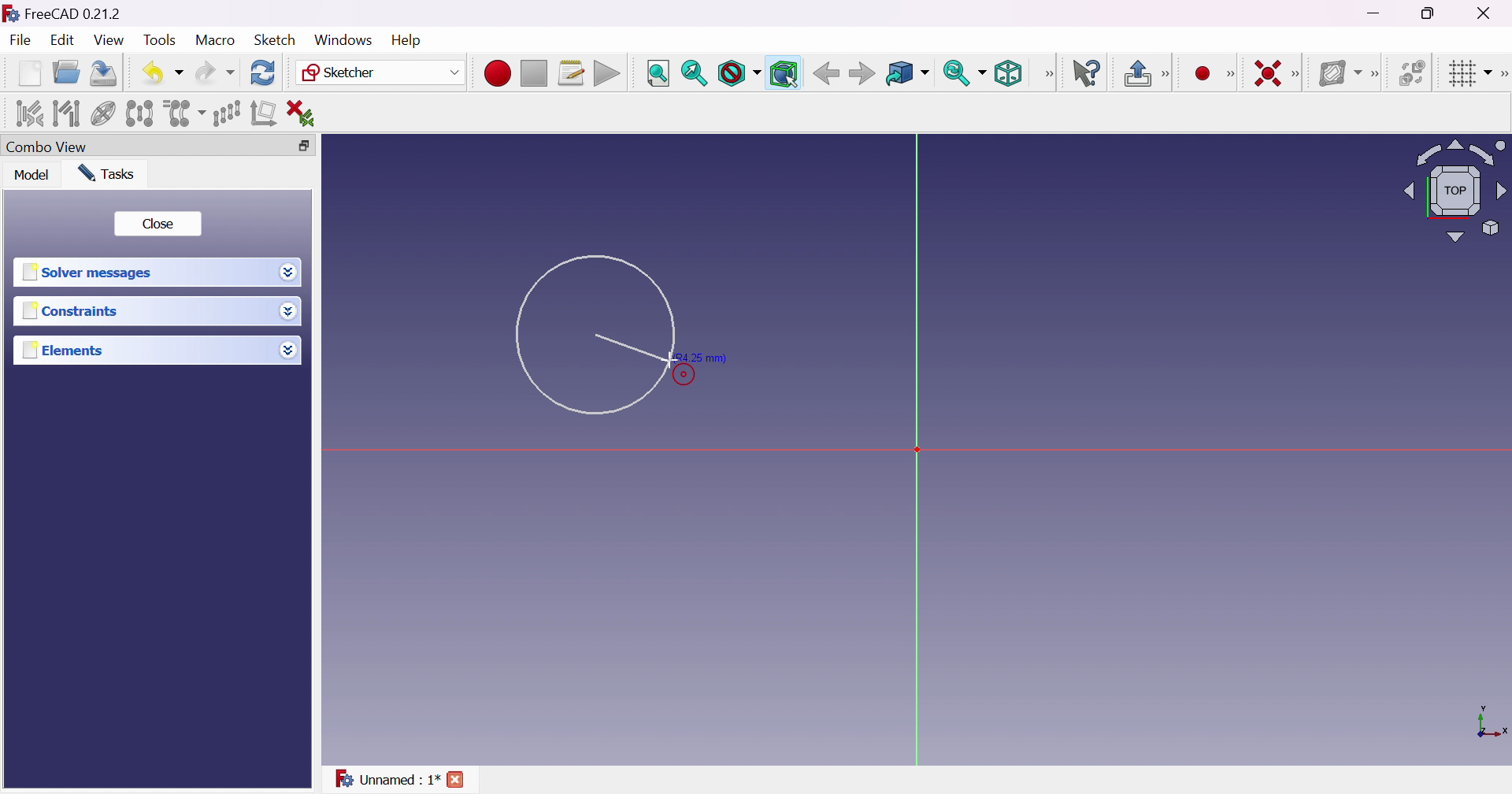  I want to click on Unnamed : 1*, so click(386, 777).